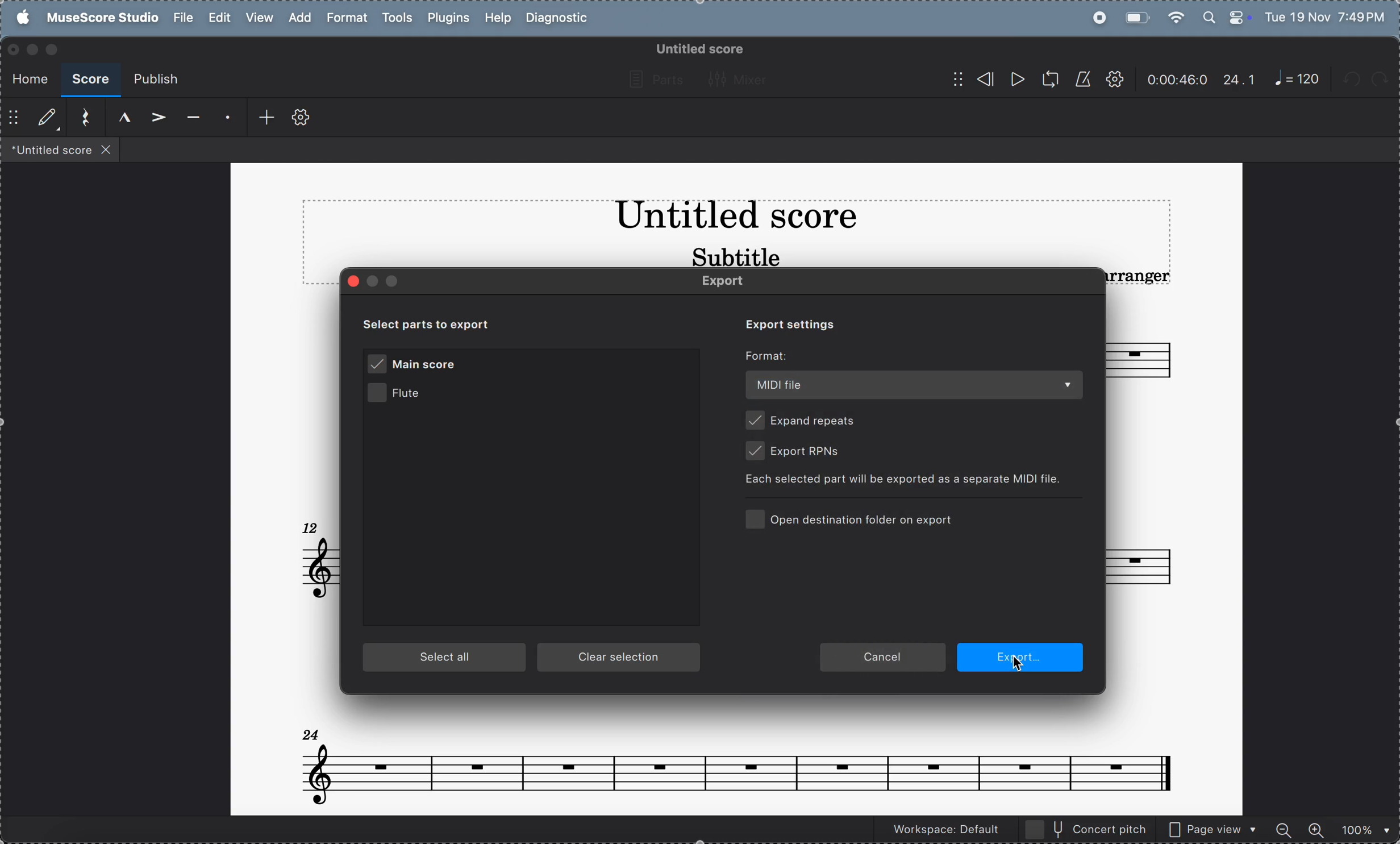 The width and height of the screenshot is (1400, 844). What do you see at coordinates (220, 18) in the screenshot?
I see `edit` at bounding box center [220, 18].